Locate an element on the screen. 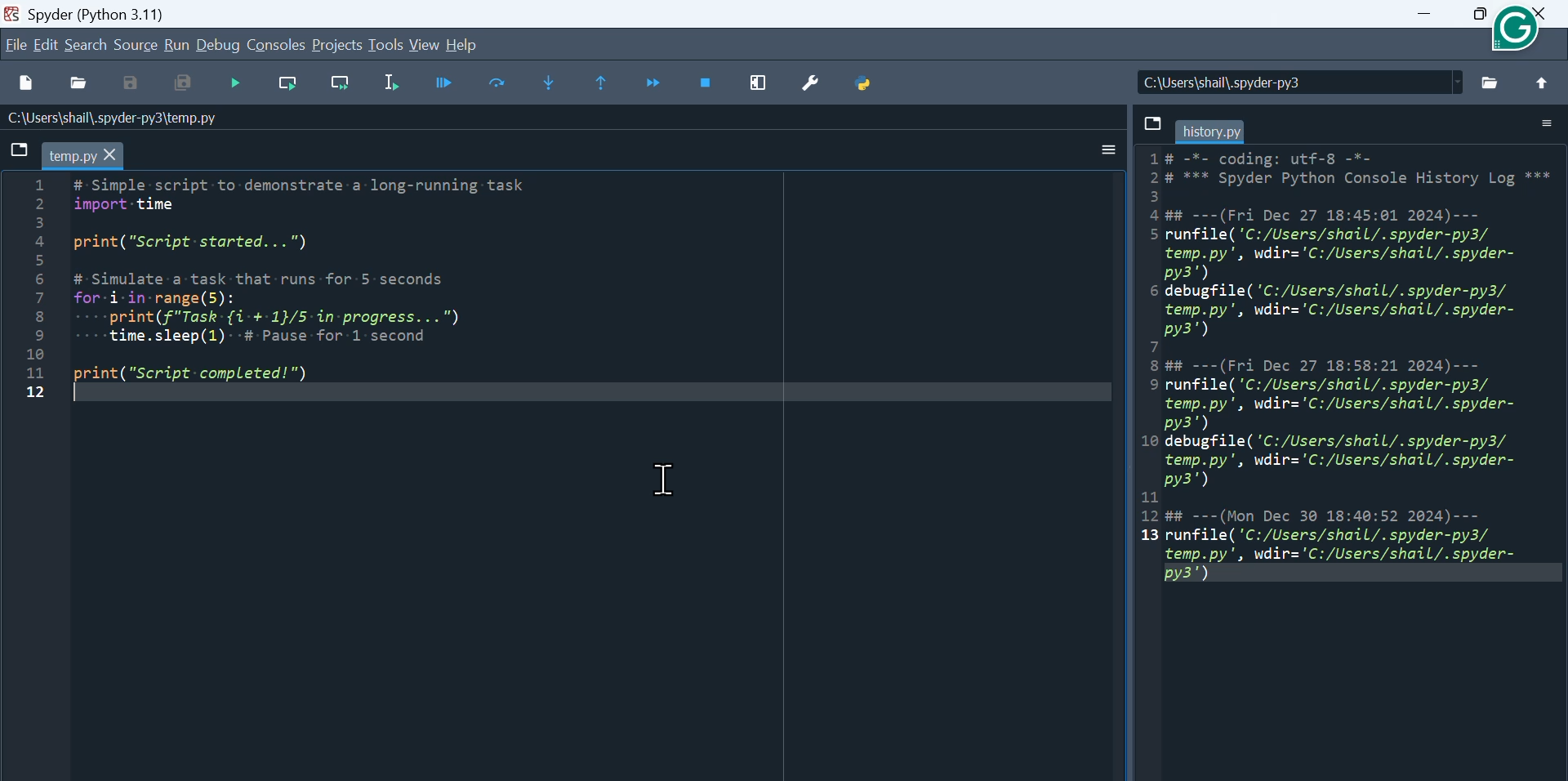 Image resolution: width=1568 pixels, height=781 pixels. Save all is located at coordinates (180, 85).